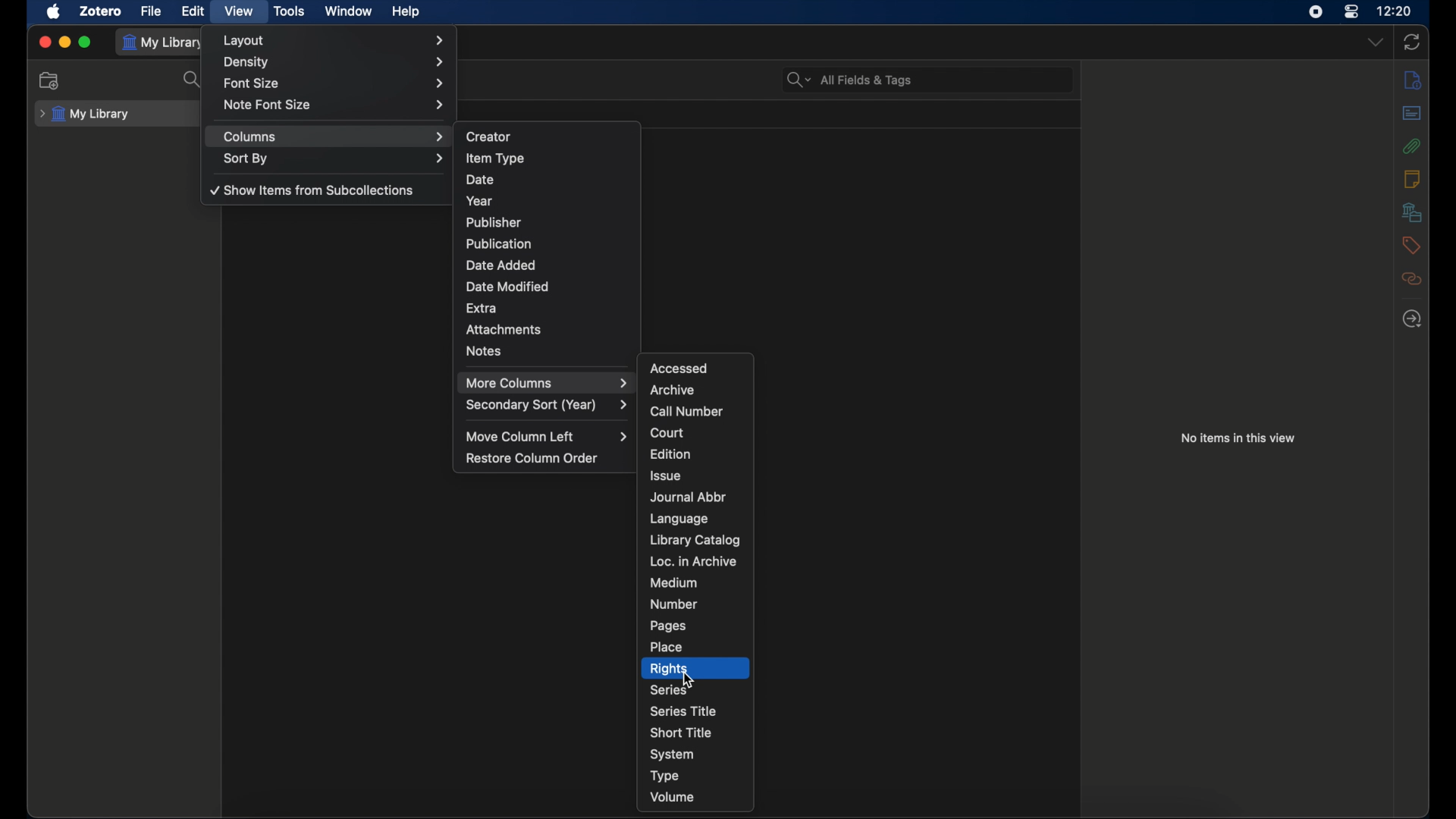 This screenshot has width=1456, height=819. What do you see at coordinates (674, 604) in the screenshot?
I see `number` at bounding box center [674, 604].